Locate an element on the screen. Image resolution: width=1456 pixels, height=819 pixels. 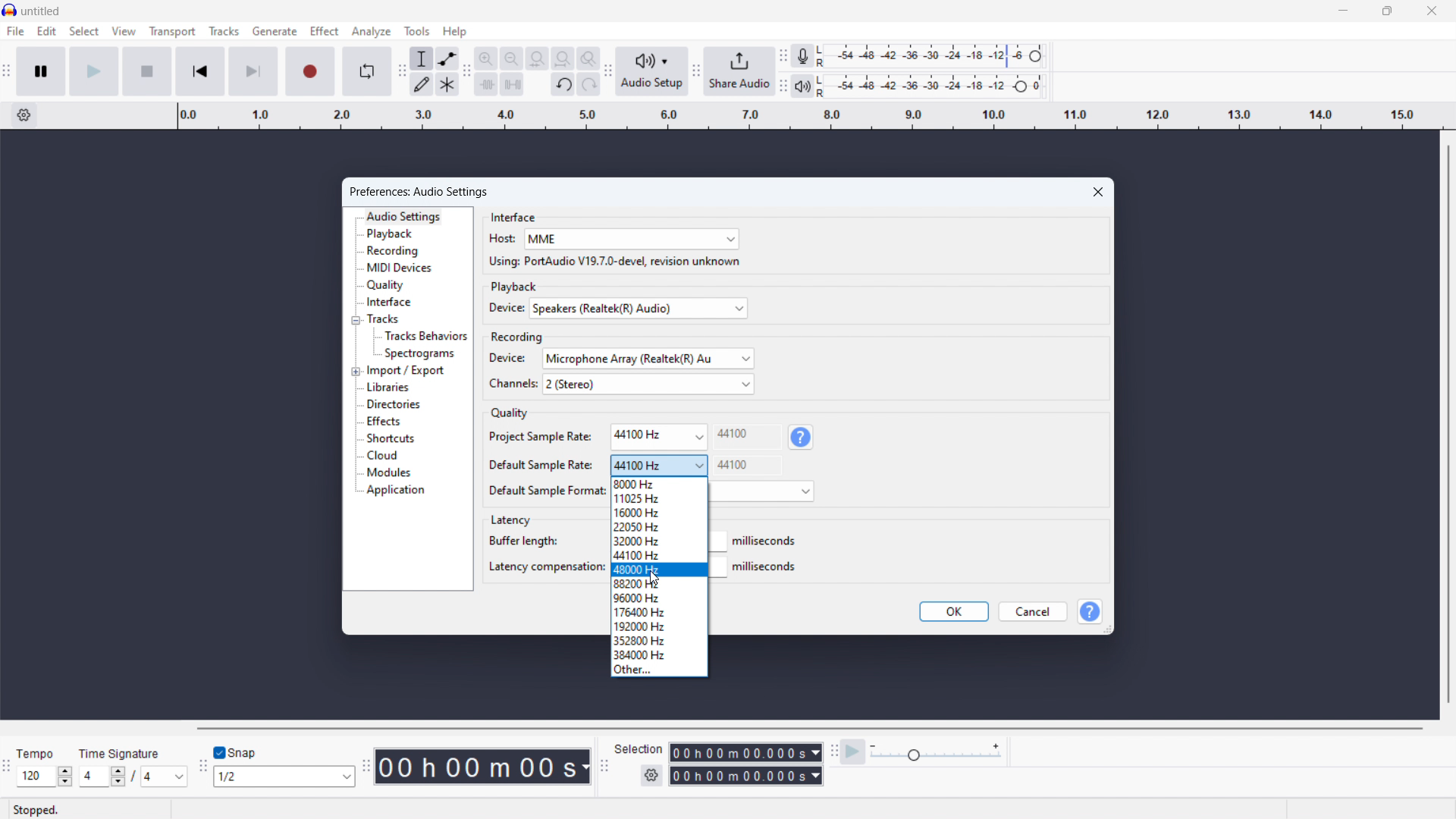
set snapping is located at coordinates (284, 776).